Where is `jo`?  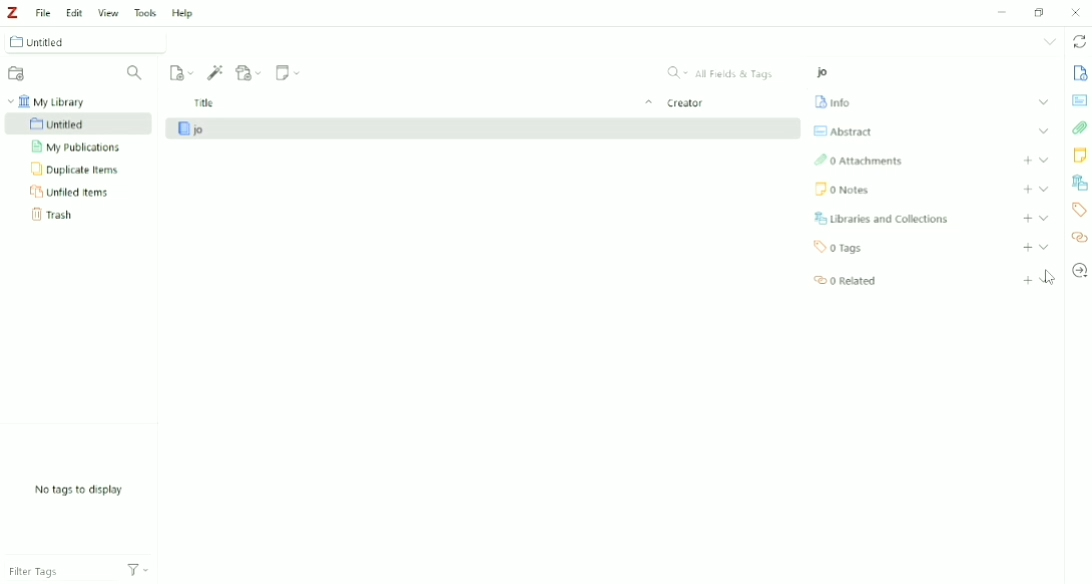 jo is located at coordinates (485, 128).